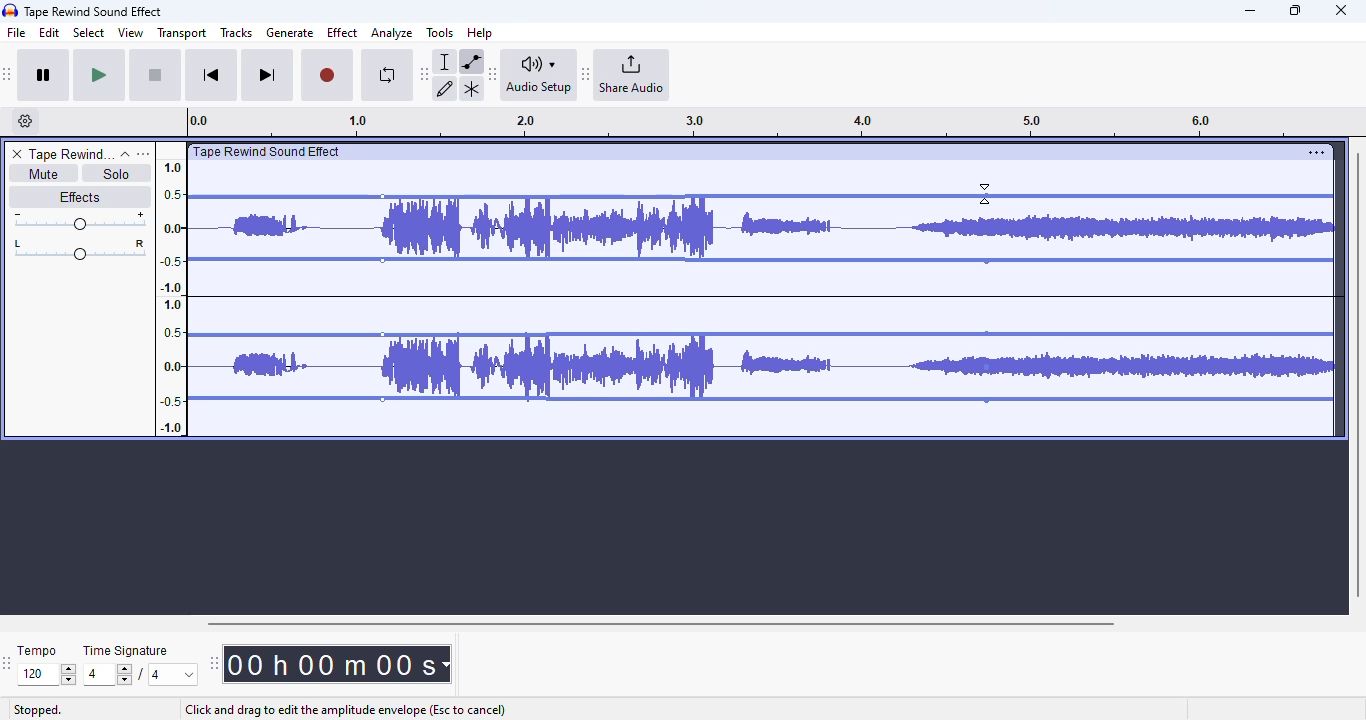  Describe the element at coordinates (213, 663) in the screenshot. I see `Move audacity time toolbar` at that location.